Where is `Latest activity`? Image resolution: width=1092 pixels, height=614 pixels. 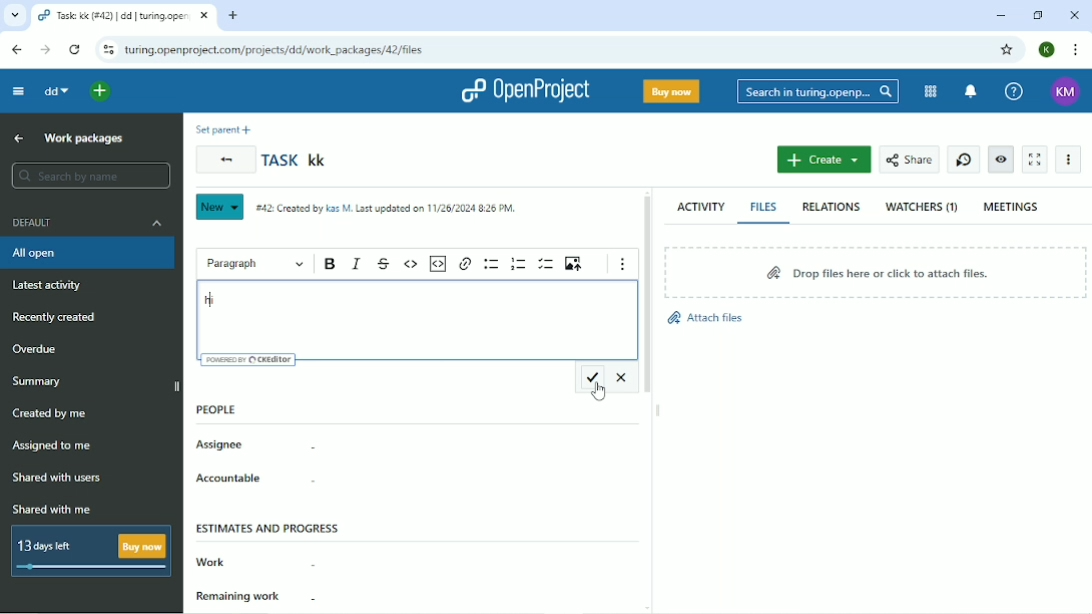 Latest activity is located at coordinates (51, 286).